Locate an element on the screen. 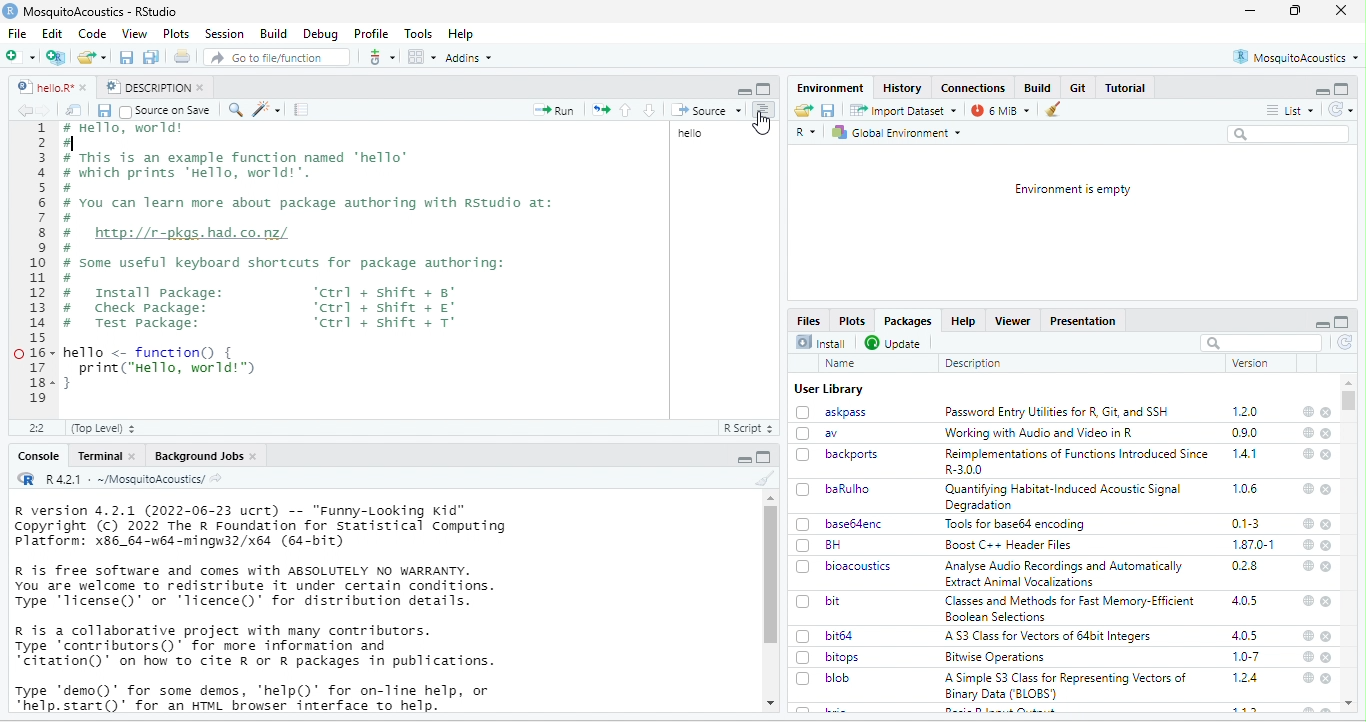 The image size is (1366, 722). scroll up is located at coordinates (769, 498).